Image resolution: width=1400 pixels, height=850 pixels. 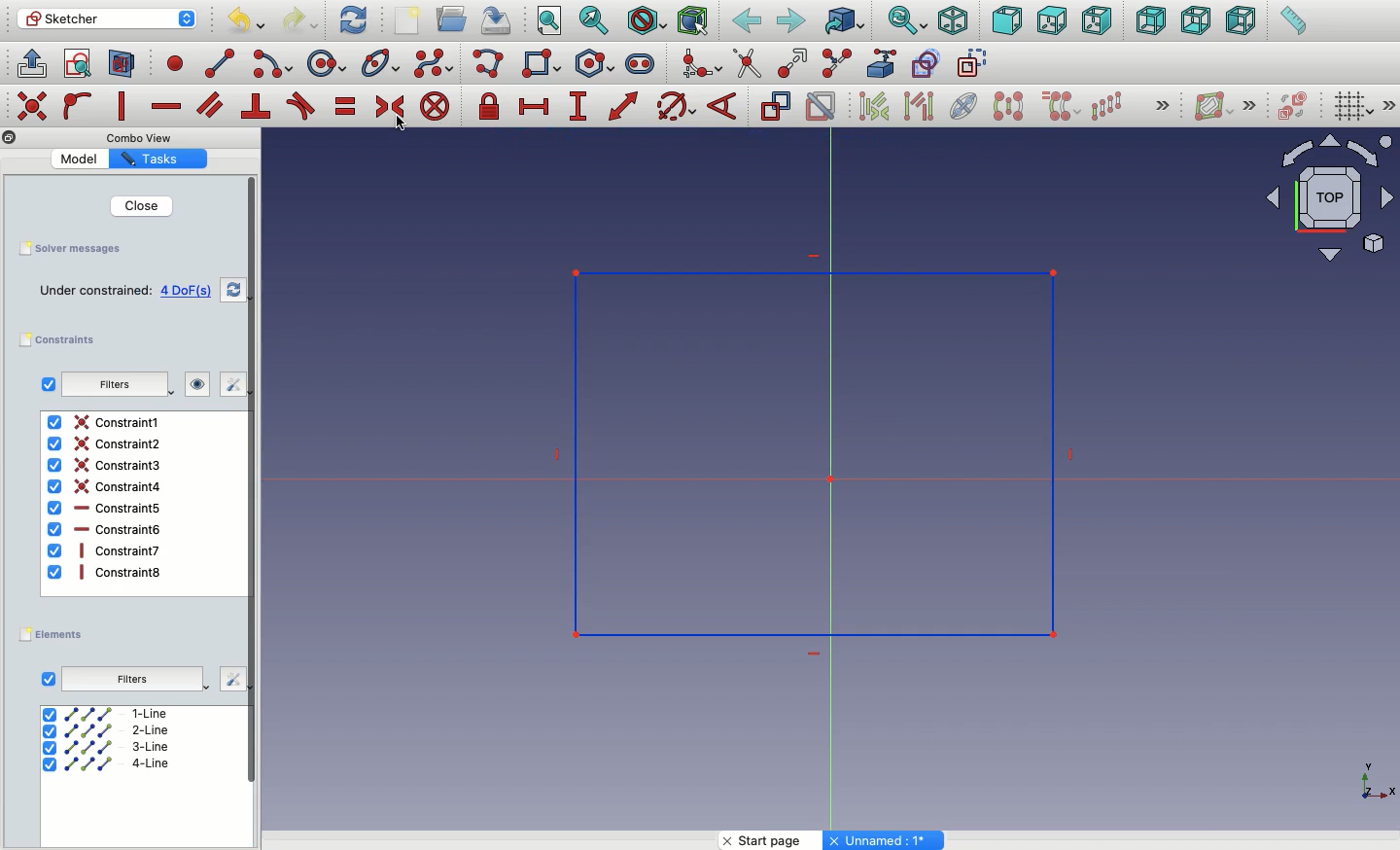 What do you see at coordinates (1100, 20) in the screenshot?
I see `Right` at bounding box center [1100, 20].